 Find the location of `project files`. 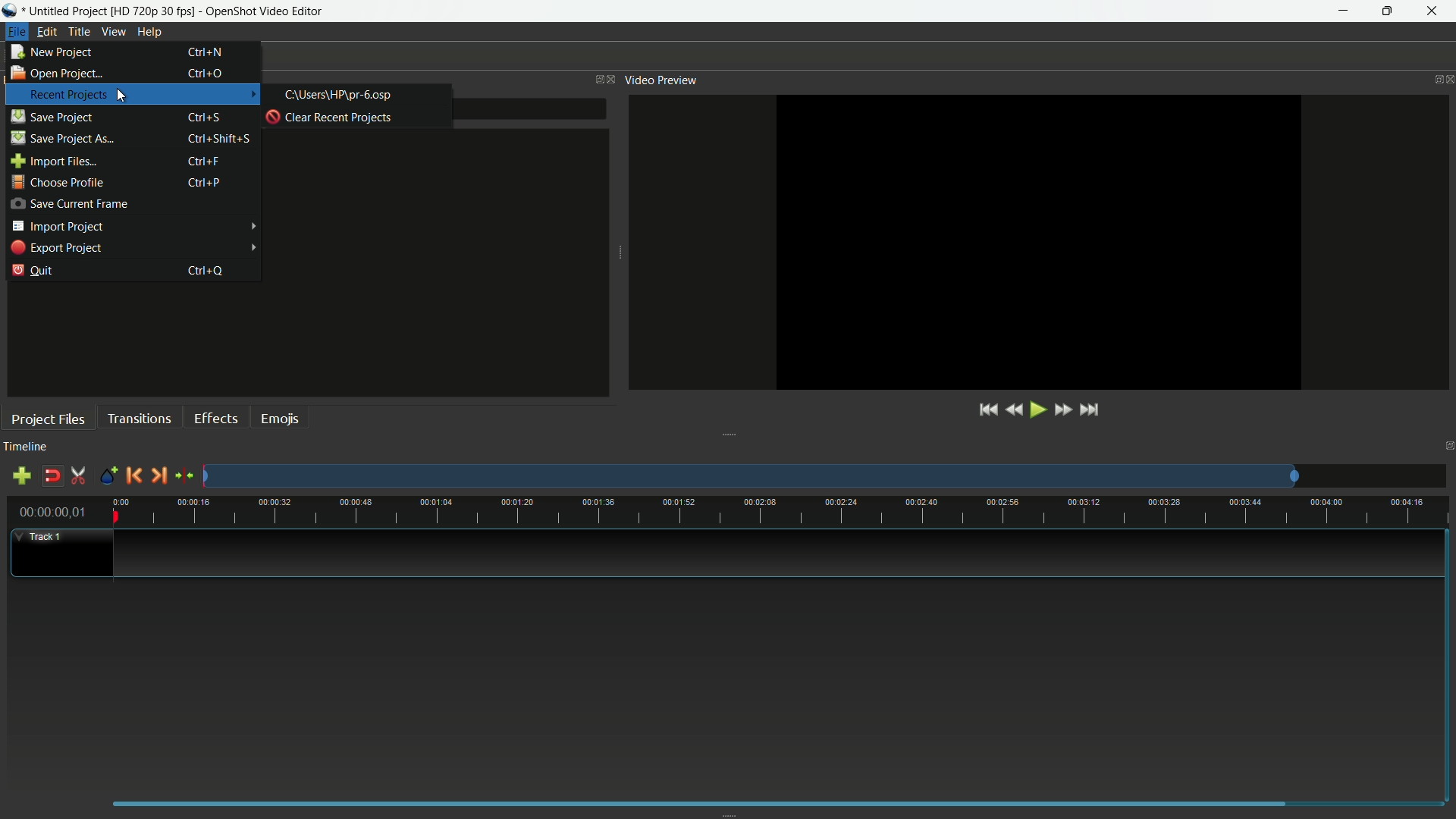

project files is located at coordinates (48, 419).